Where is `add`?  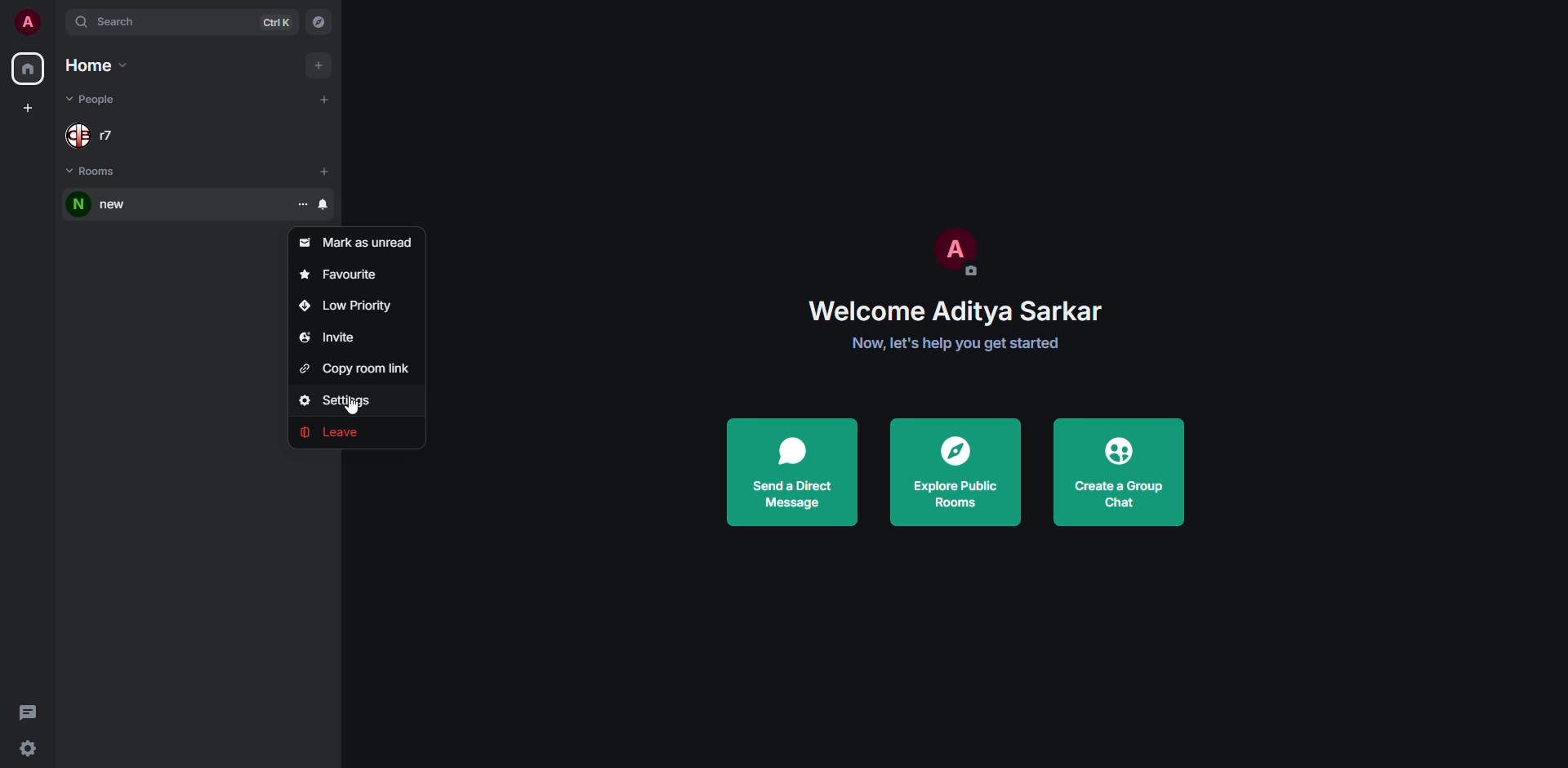
add is located at coordinates (325, 98).